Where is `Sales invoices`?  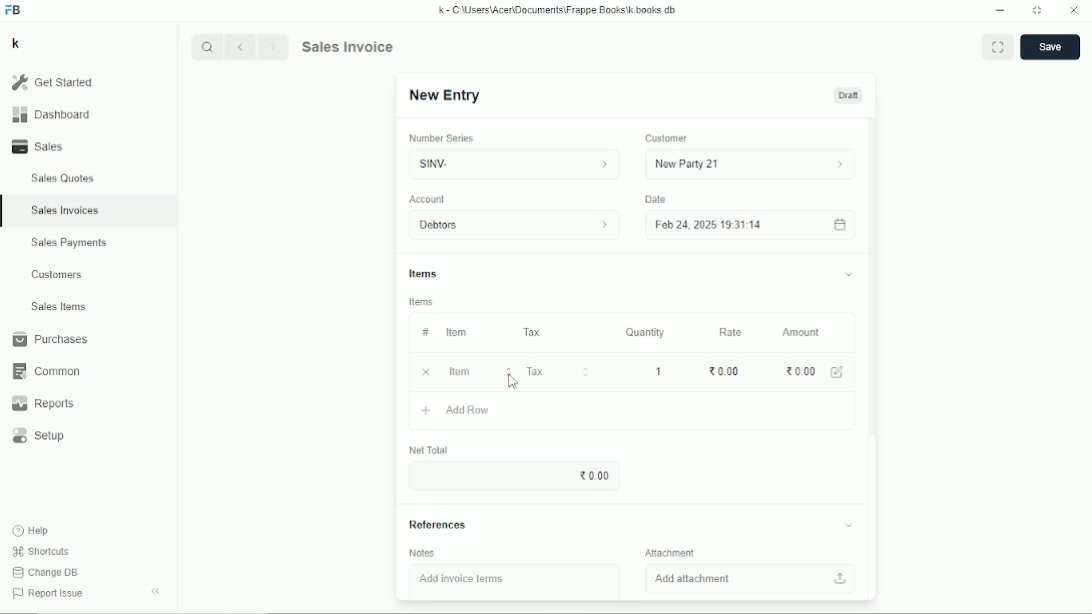
Sales invoices is located at coordinates (64, 210).